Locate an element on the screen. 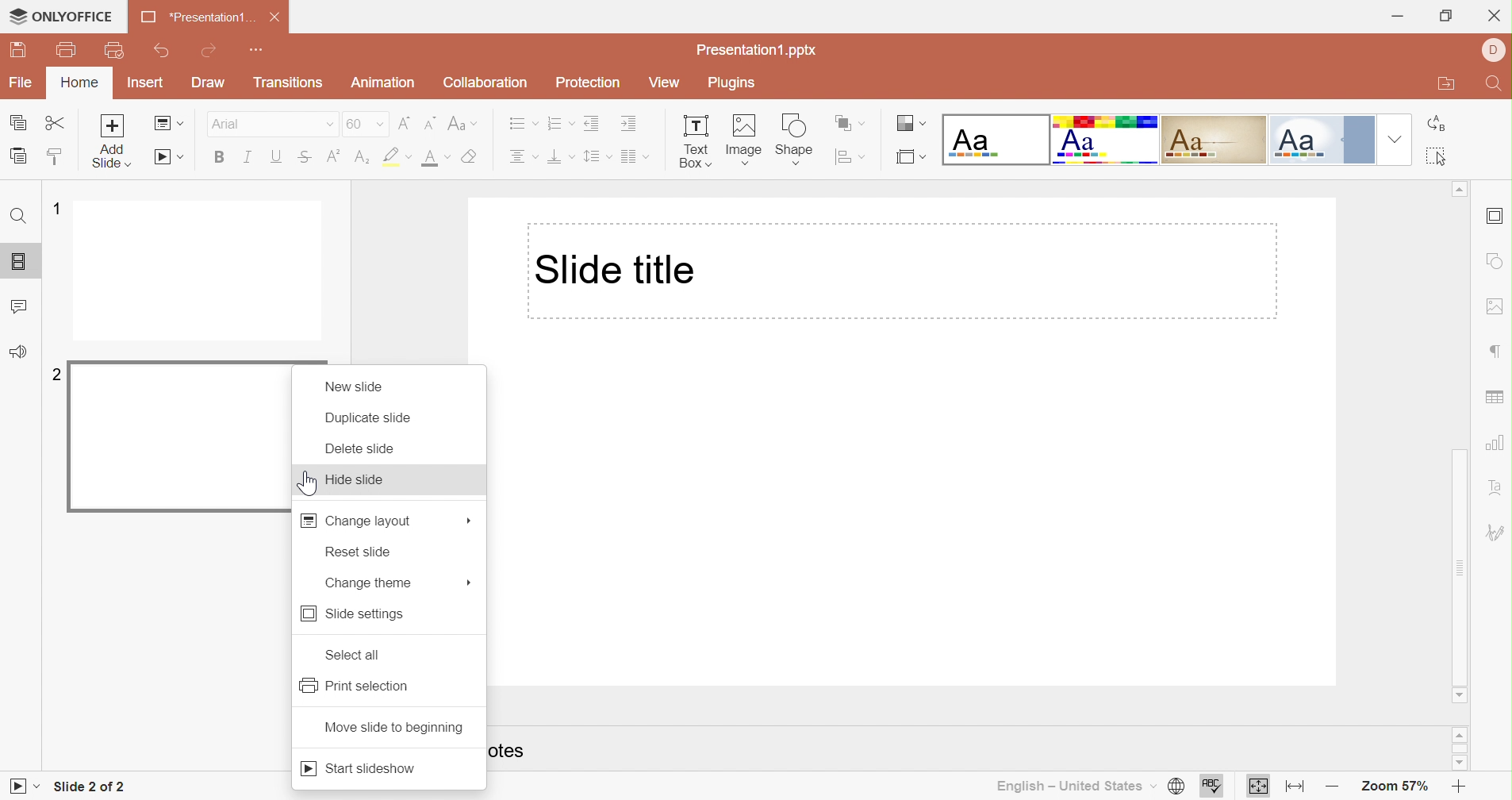 Image resolution: width=1512 pixels, height=800 pixels. Arrange shapes is located at coordinates (850, 121).